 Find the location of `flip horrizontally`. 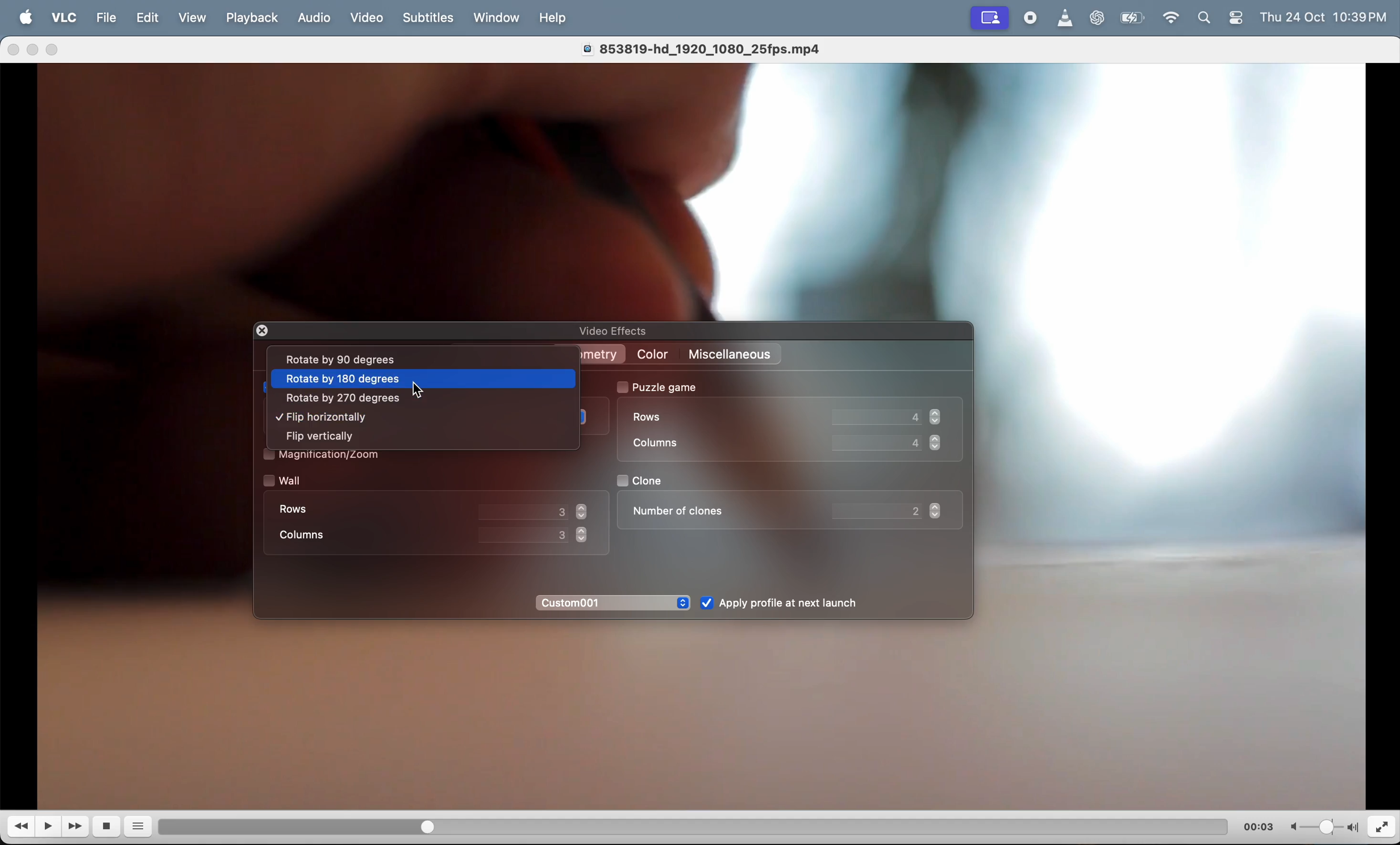

flip horrizontally is located at coordinates (327, 419).